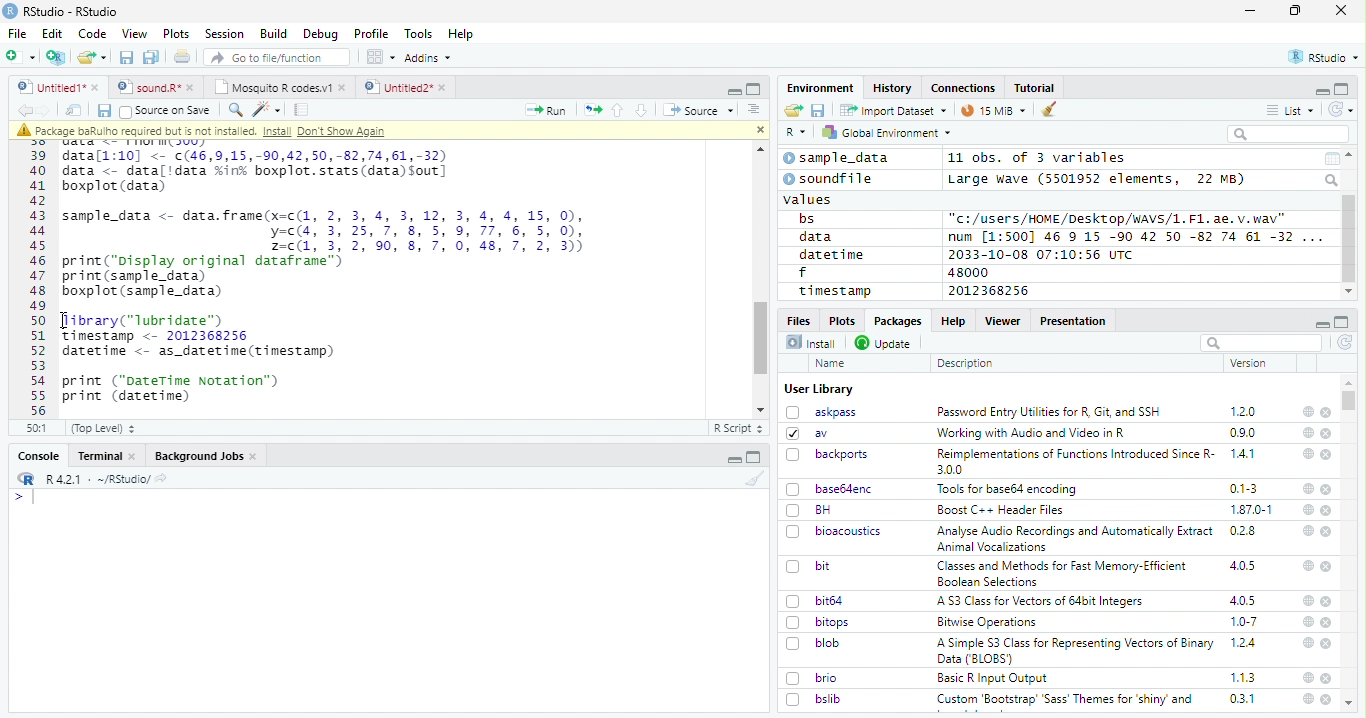 Image resolution: width=1366 pixels, height=718 pixels. Describe the element at coordinates (156, 88) in the screenshot. I see `sound.R*` at that location.